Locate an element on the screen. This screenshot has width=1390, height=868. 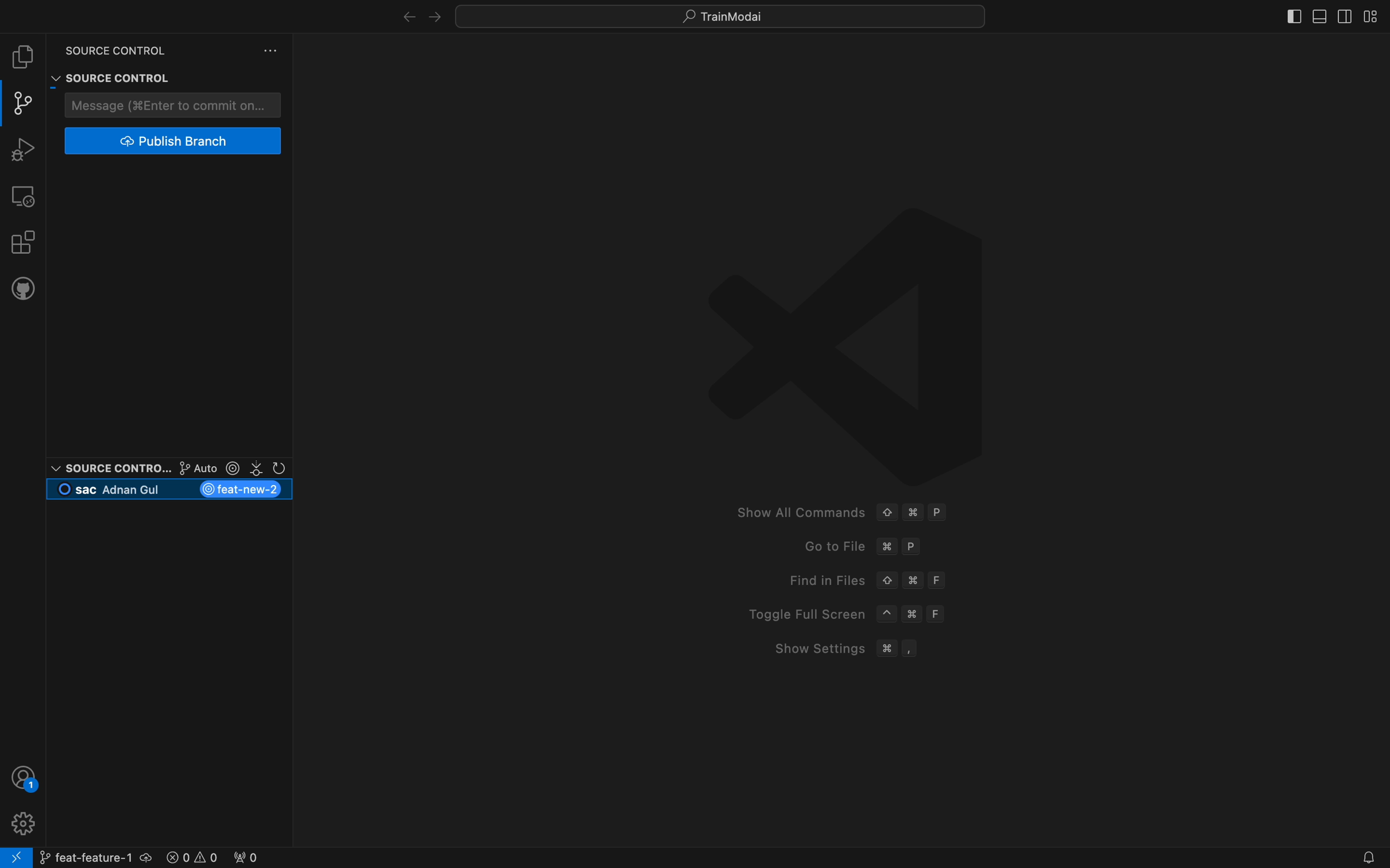
extensions is located at coordinates (22, 241).